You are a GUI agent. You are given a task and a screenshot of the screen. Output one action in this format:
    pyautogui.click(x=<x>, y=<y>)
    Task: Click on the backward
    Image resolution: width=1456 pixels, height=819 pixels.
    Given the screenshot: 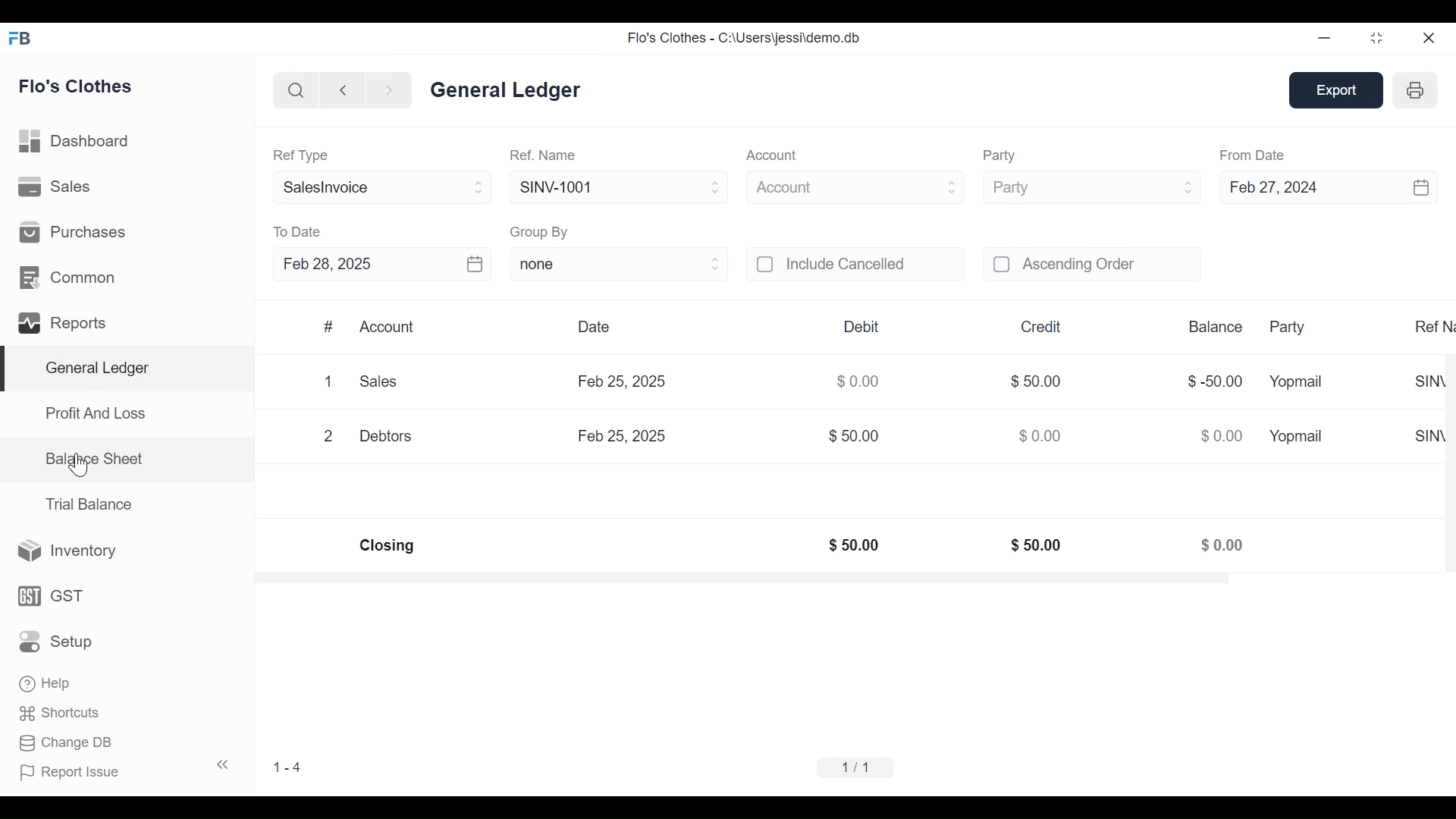 What is the action you would take?
    pyautogui.click(x=344, y=92)
    